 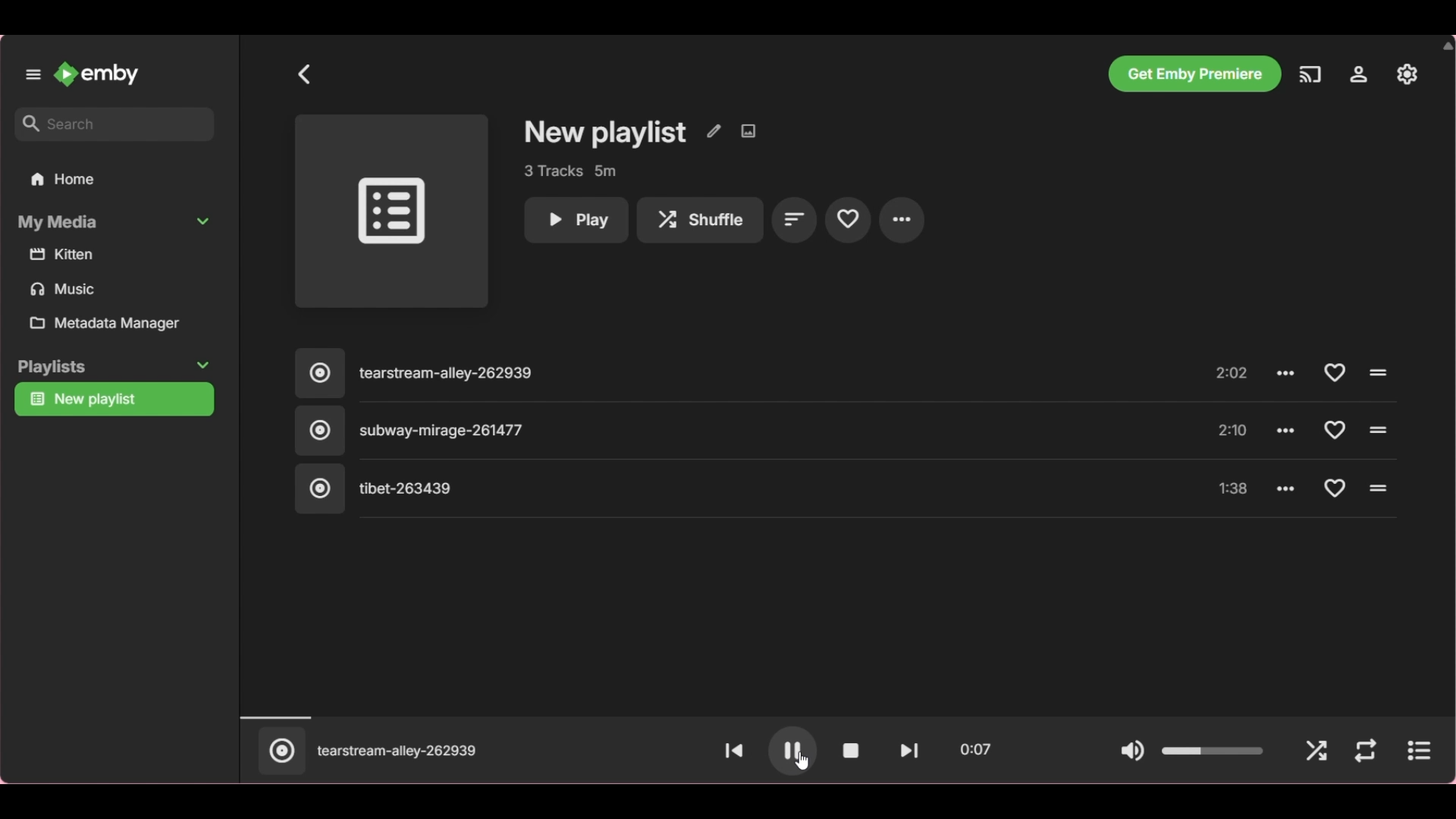 What do you see at coordinates (1234, 490) in the screenshot?
I see `Music length of song` at bounding box center [1234, 490].